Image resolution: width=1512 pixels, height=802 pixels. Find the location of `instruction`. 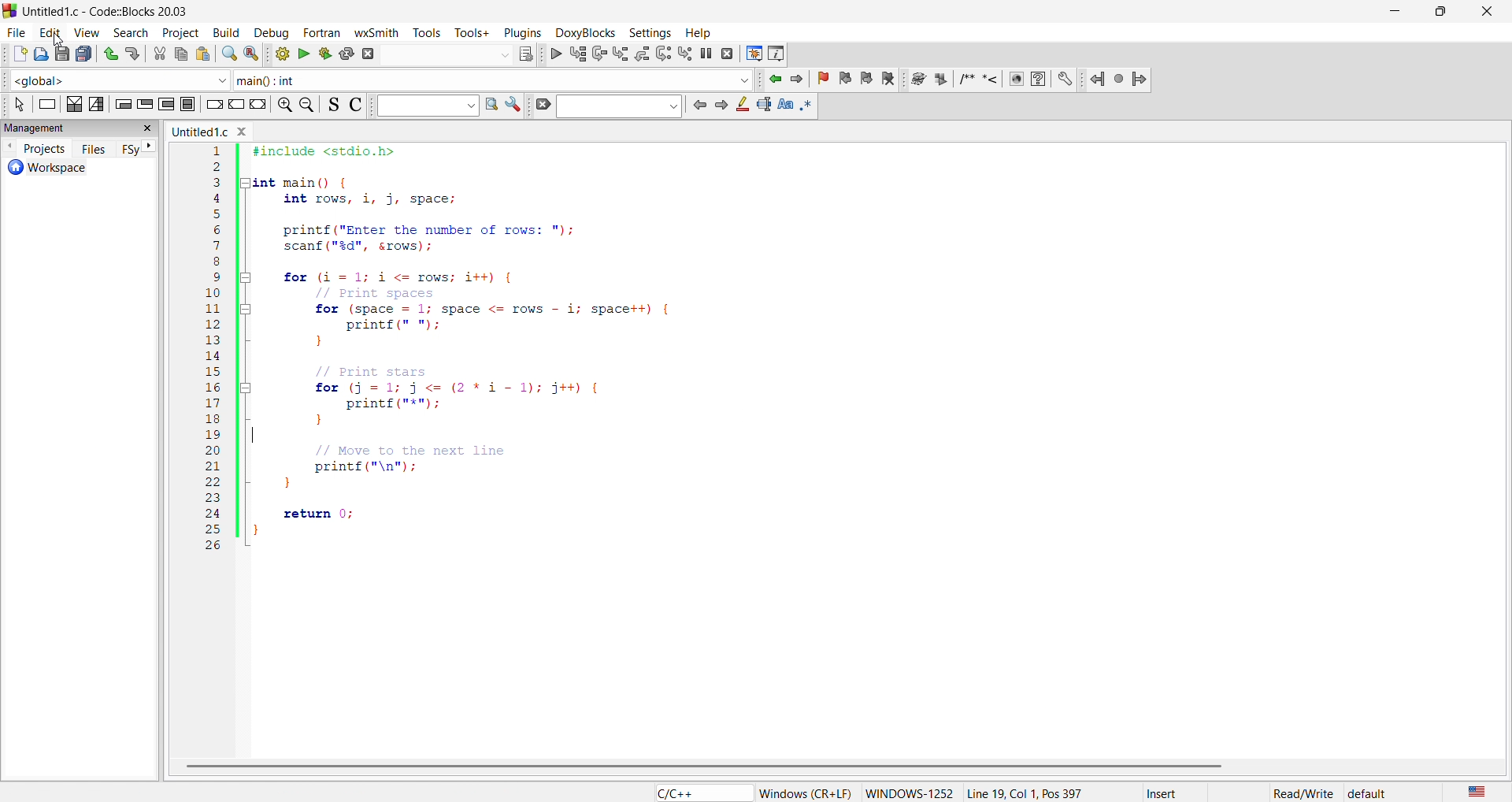

instruction is located at coordinates (46, 104).